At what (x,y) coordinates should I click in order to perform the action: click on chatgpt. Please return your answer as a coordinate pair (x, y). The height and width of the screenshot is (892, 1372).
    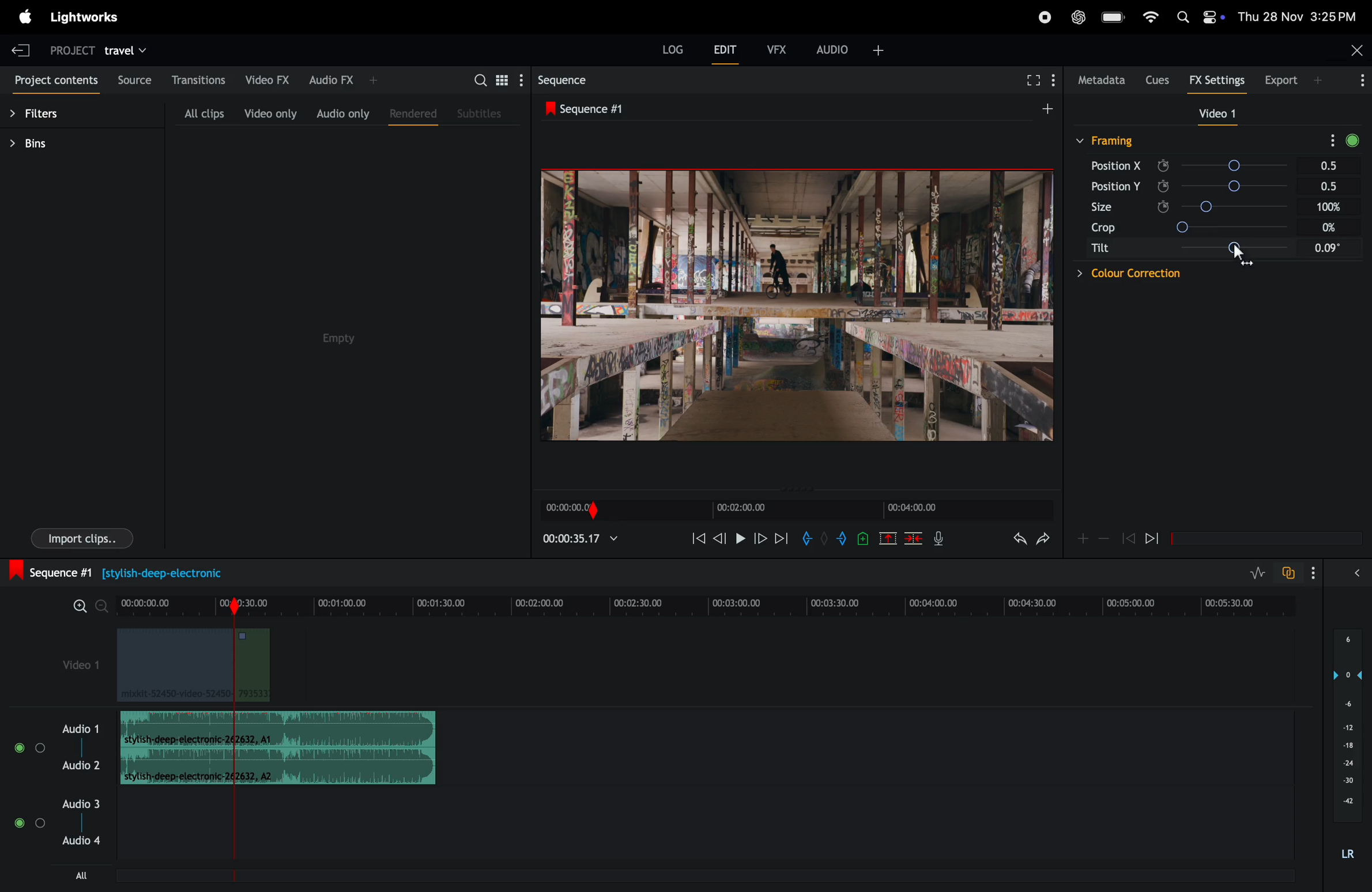
    Looking at the image, I should click on (1078, 17).